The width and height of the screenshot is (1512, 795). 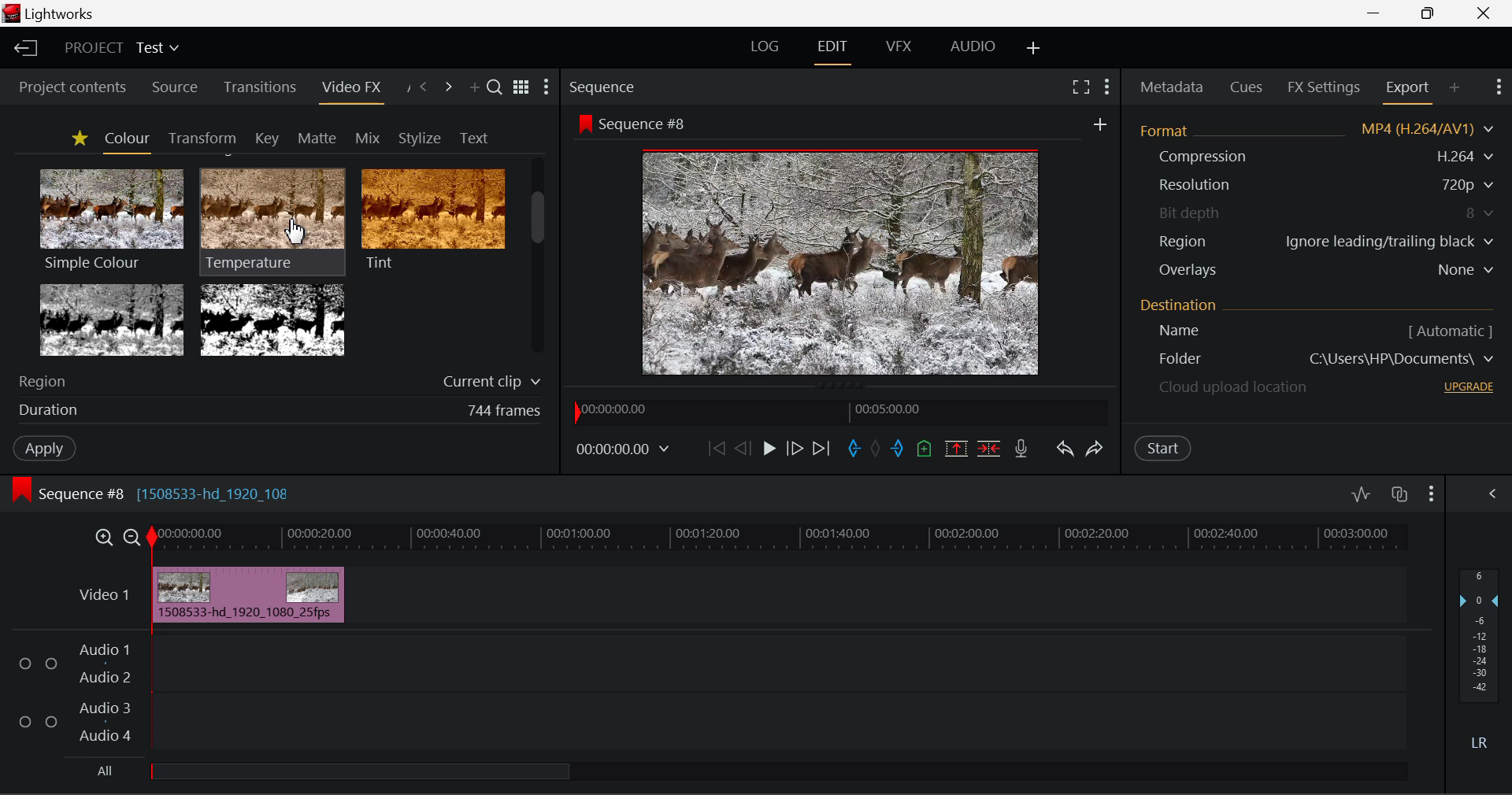 What do you see at coordinates (124, 139) in the screenshot?
I see `Colour` at bounding box center [124, 139].